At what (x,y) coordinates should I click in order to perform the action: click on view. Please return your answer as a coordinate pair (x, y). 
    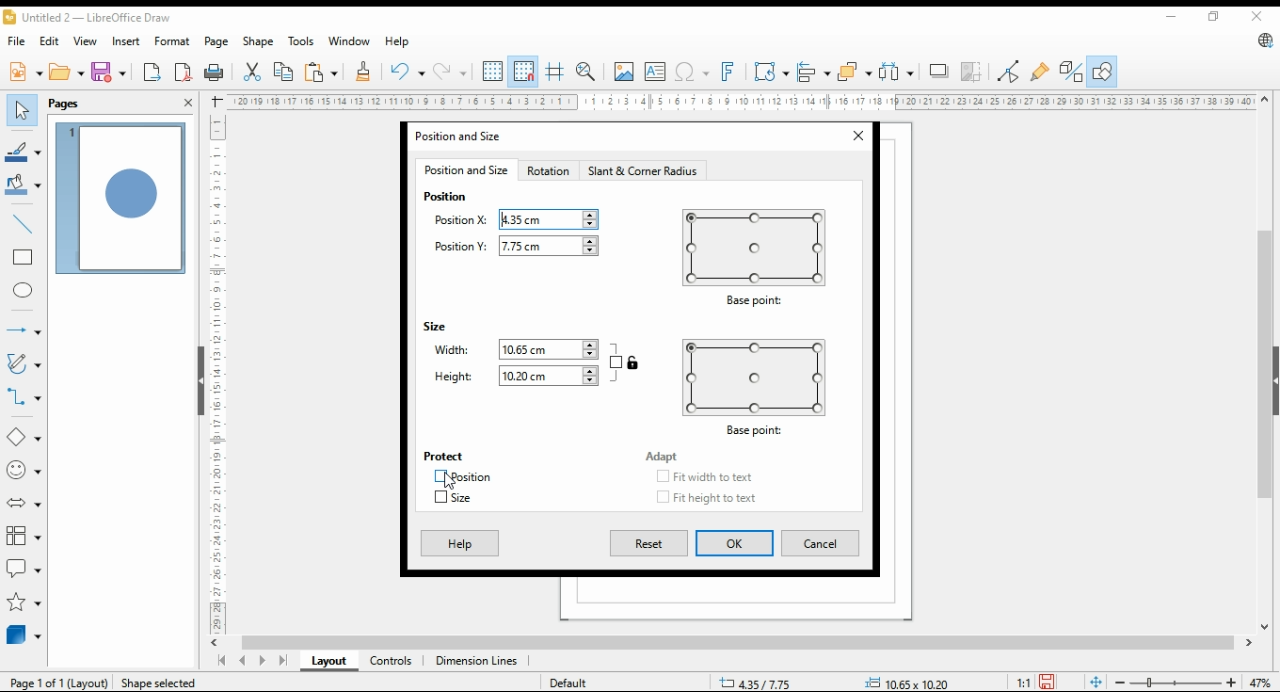
    Looking at the image, I should click on (84, 41).